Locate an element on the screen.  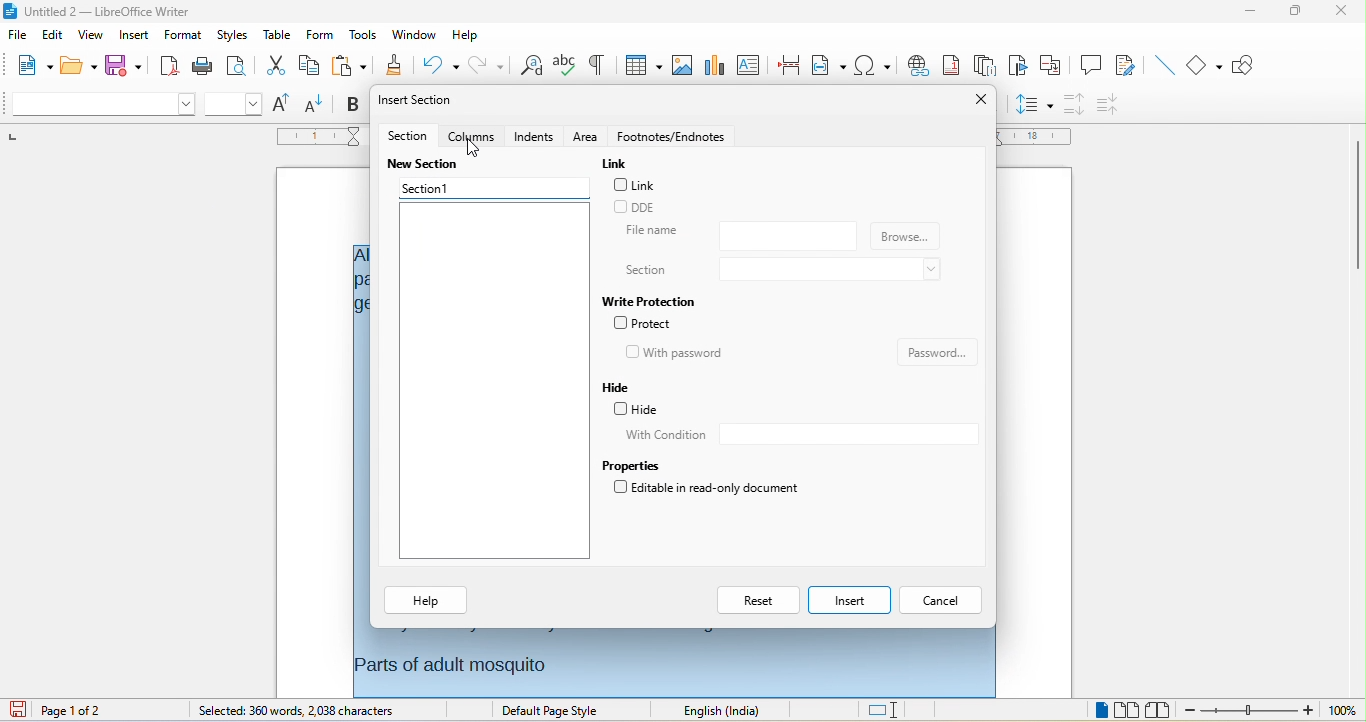
comment is located at coordinates (1090, 64).